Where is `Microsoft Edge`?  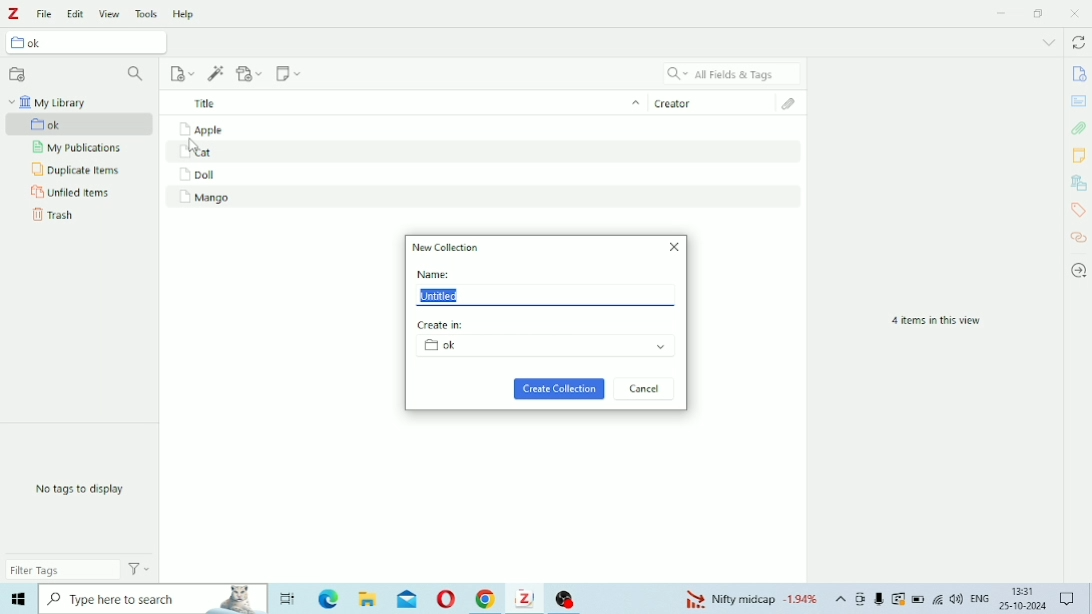
Microsoft Edge is located at coordinates (328, 598).